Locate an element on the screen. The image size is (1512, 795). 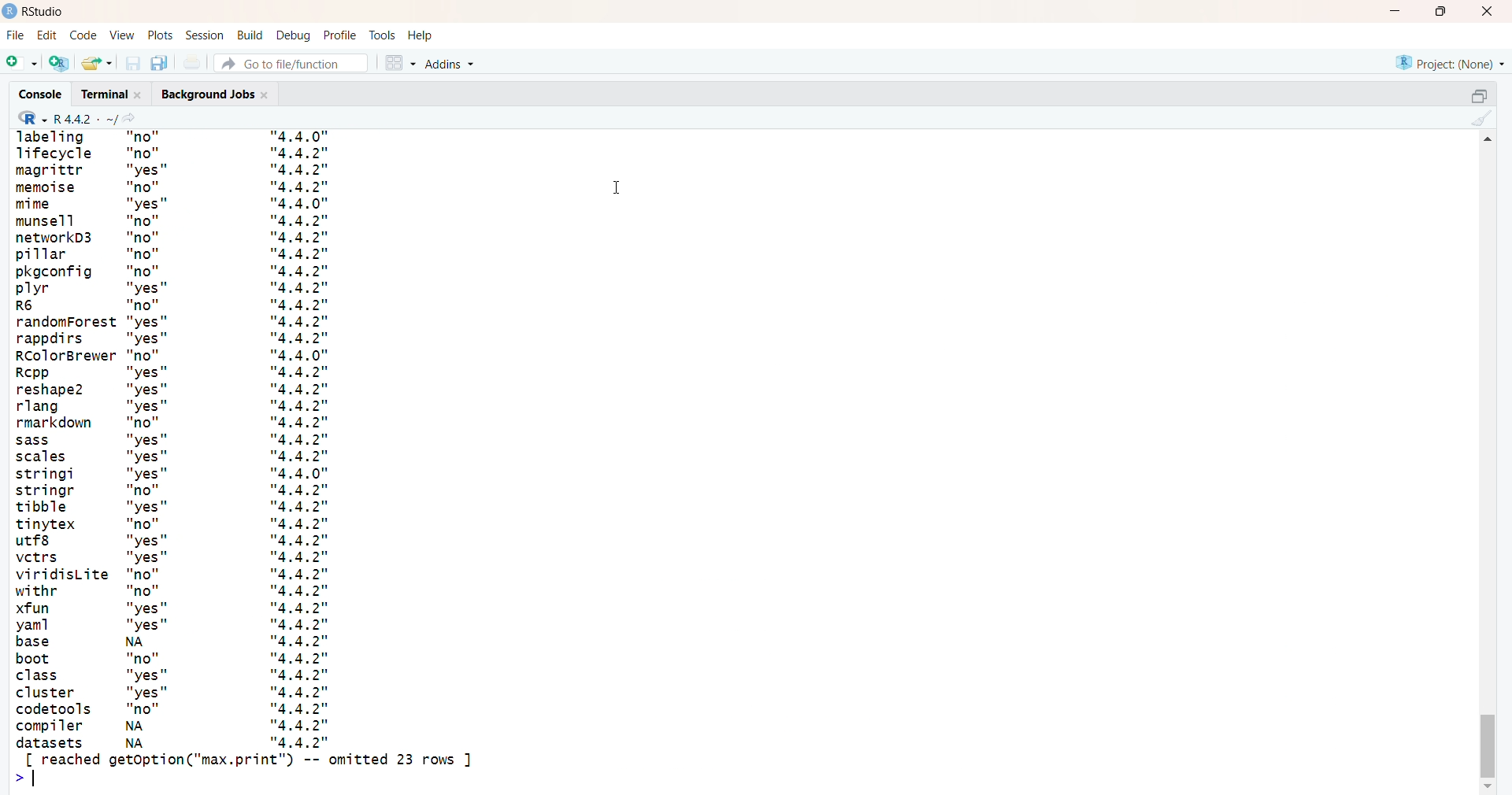
close is located at coordinates (1491, 10).